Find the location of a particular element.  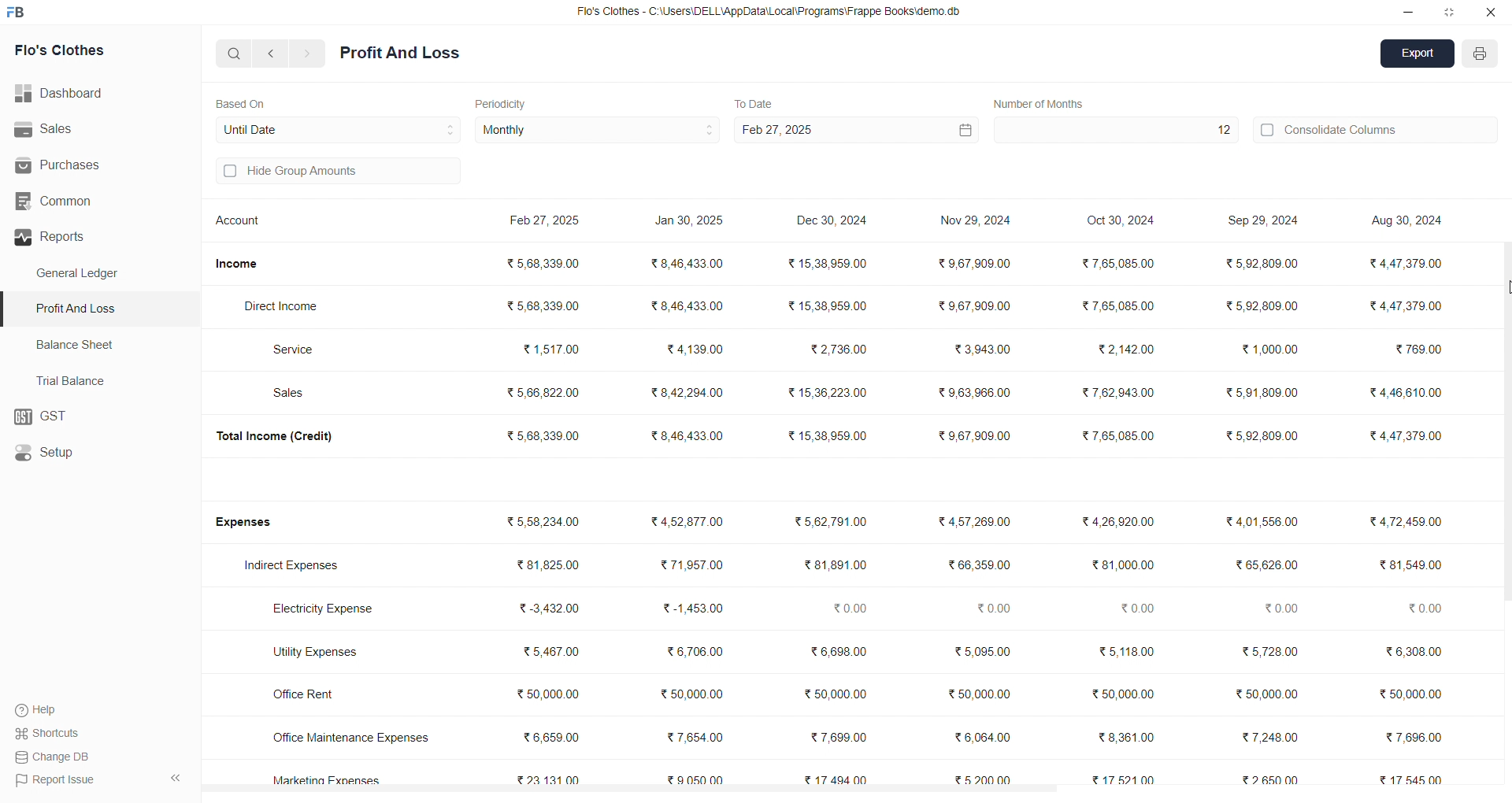

₹4,57,269.00 is located at coordinates (975, 520).